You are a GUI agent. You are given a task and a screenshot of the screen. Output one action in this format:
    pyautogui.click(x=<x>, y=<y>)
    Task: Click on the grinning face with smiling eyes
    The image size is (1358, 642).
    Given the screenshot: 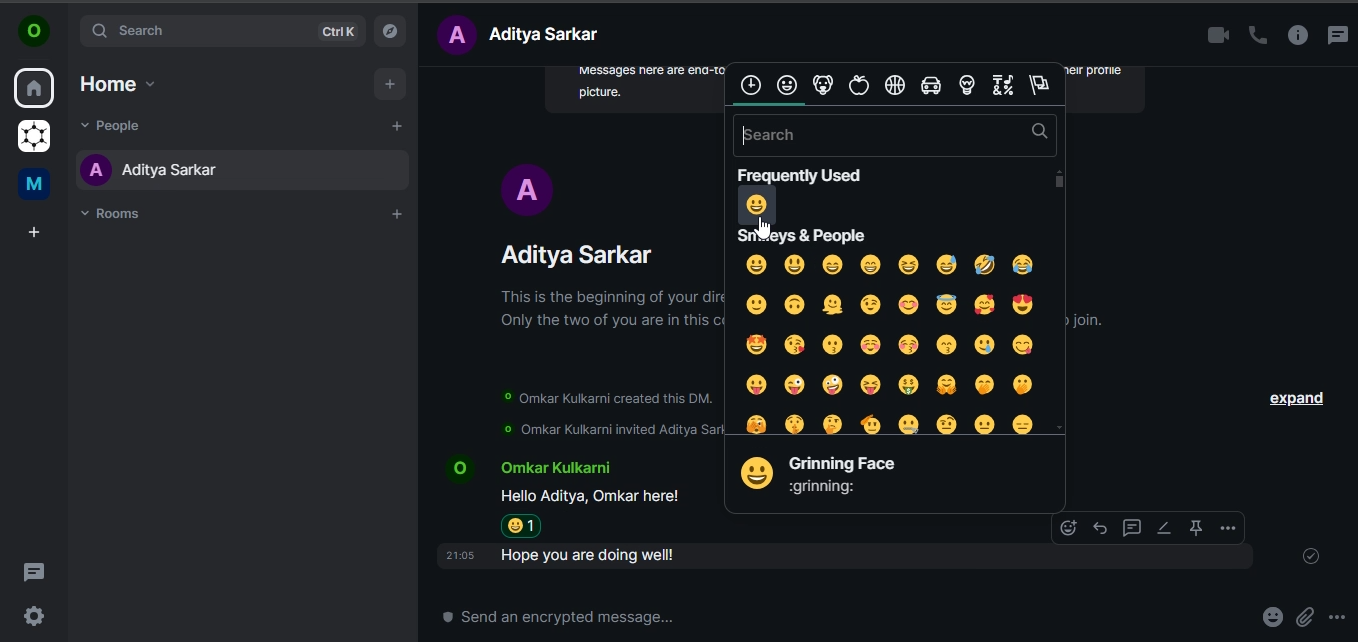 What is the action you would take?
    pyautogui.click(x=833, y=266)
    